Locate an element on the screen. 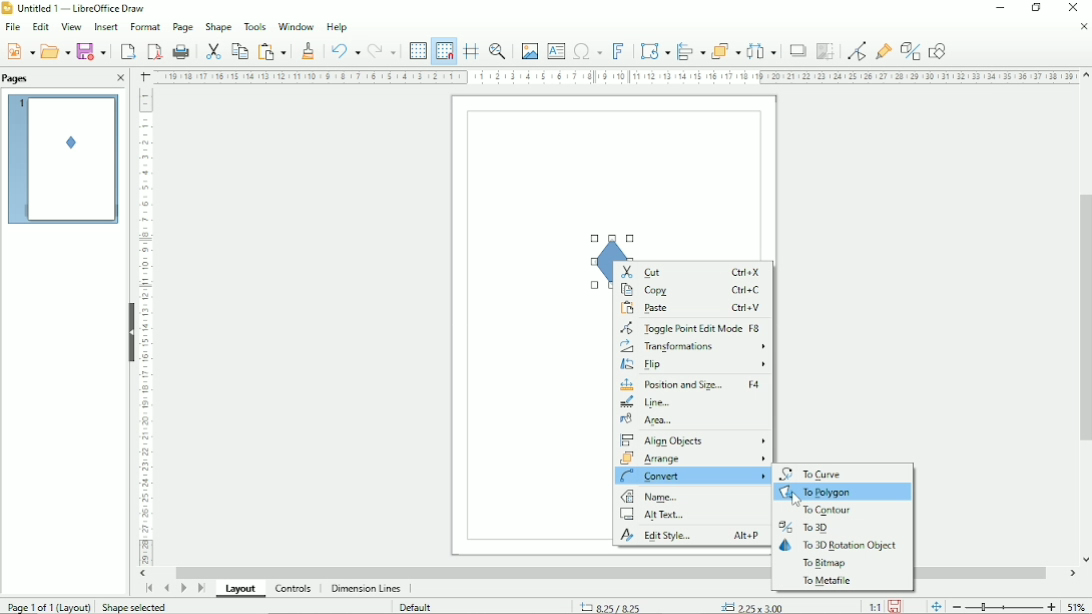  Alt text is located at coordinates (660, 516).